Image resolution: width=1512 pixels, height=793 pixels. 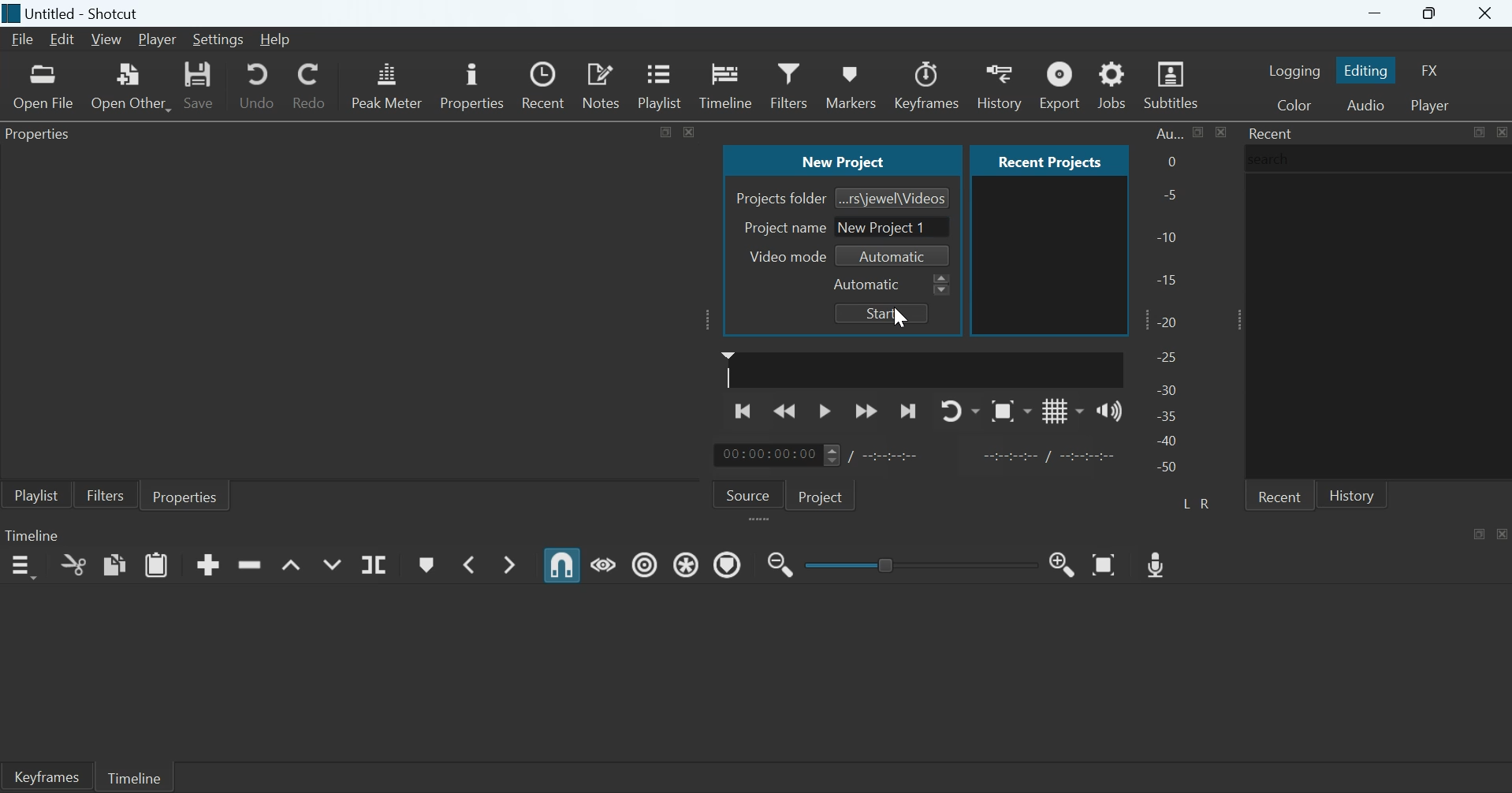 I want to click on Jobs, so click(x=1112, y=84).